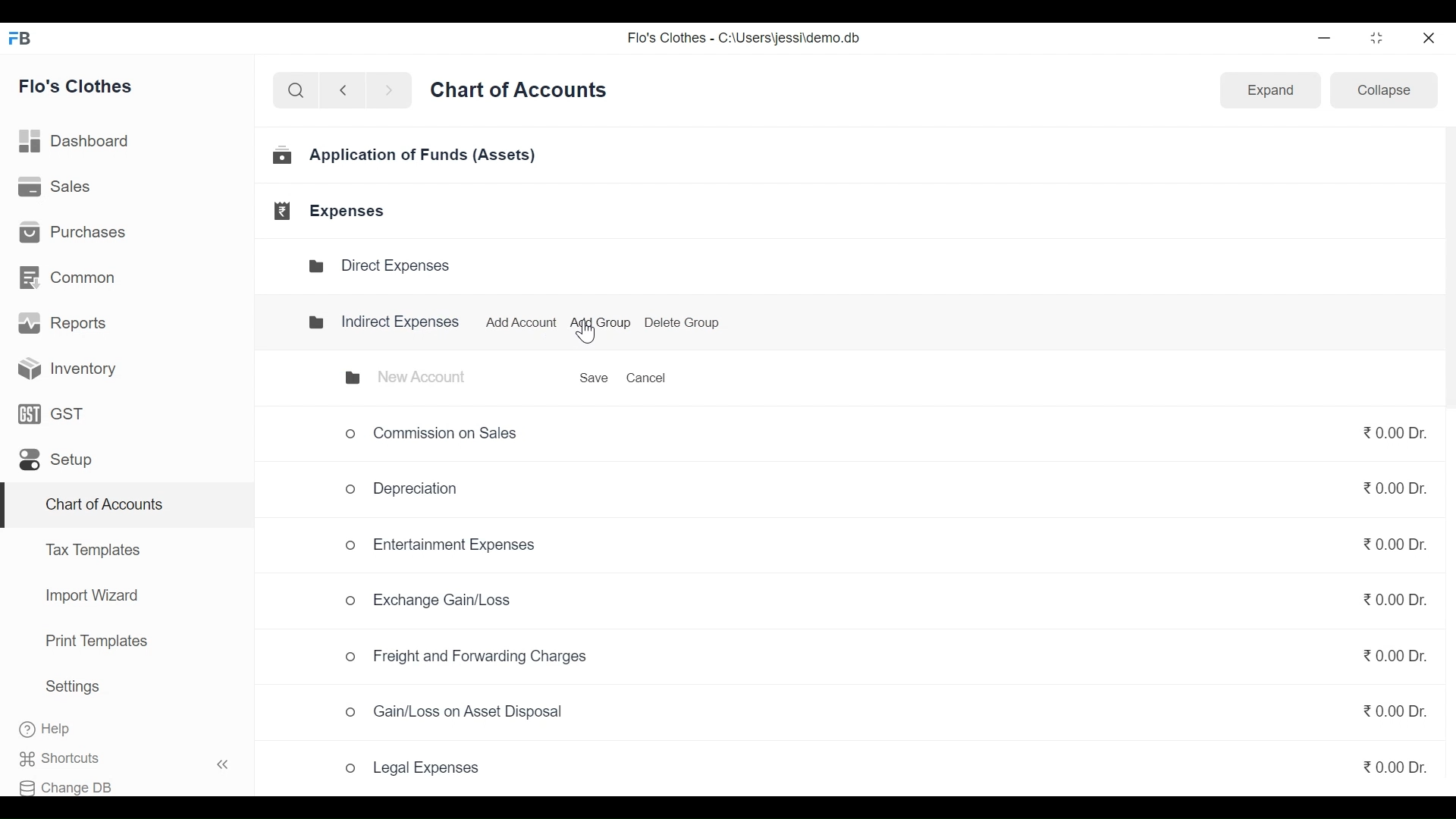 This screenshot has width=1456, height=819. Describe the element at coordinates (133, 758) in the screenshot. I see `Shortcuts` at that location.